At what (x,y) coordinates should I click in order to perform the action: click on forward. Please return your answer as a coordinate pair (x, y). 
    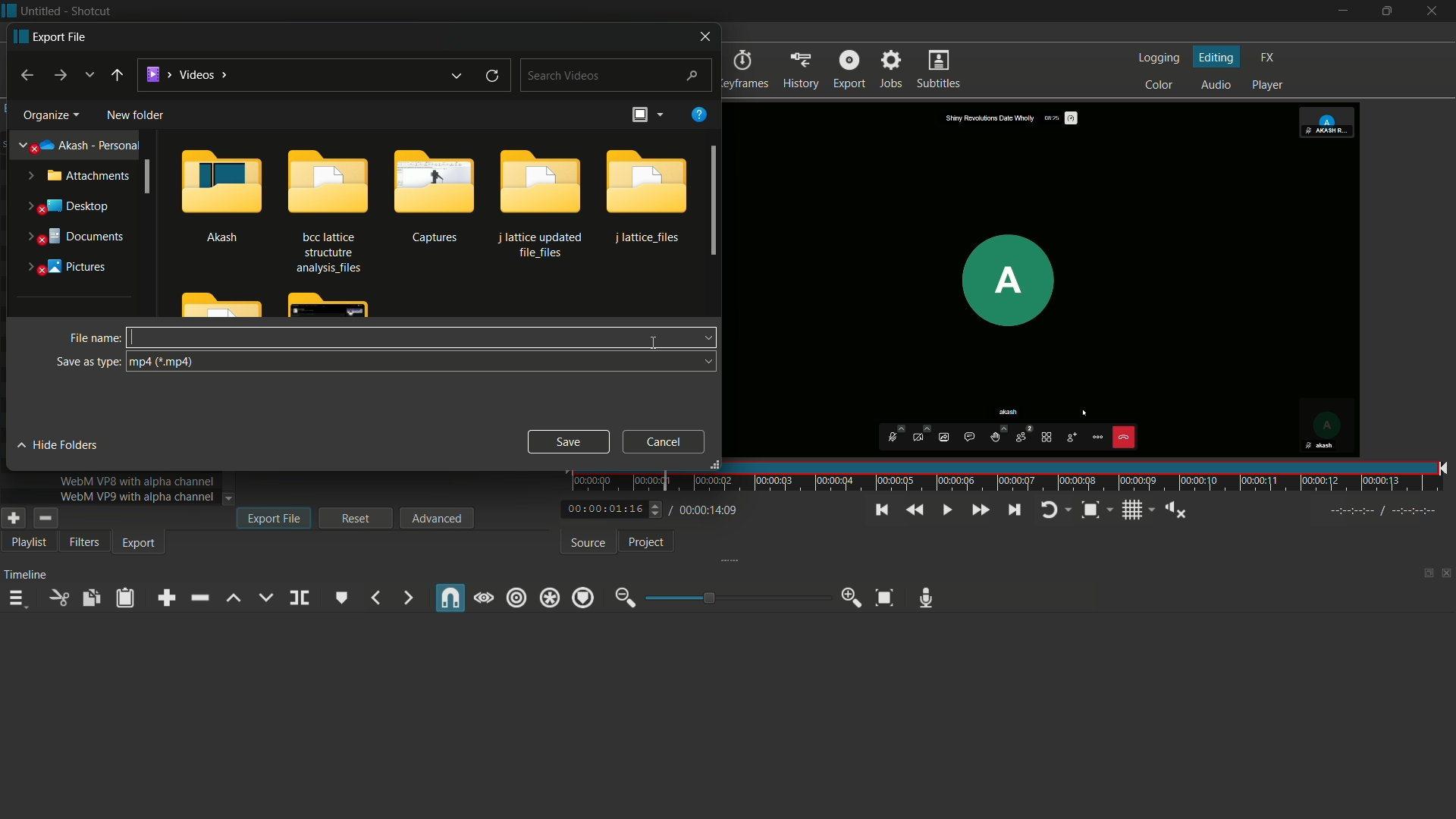
    Looking at the image, I should click on (58, 75).